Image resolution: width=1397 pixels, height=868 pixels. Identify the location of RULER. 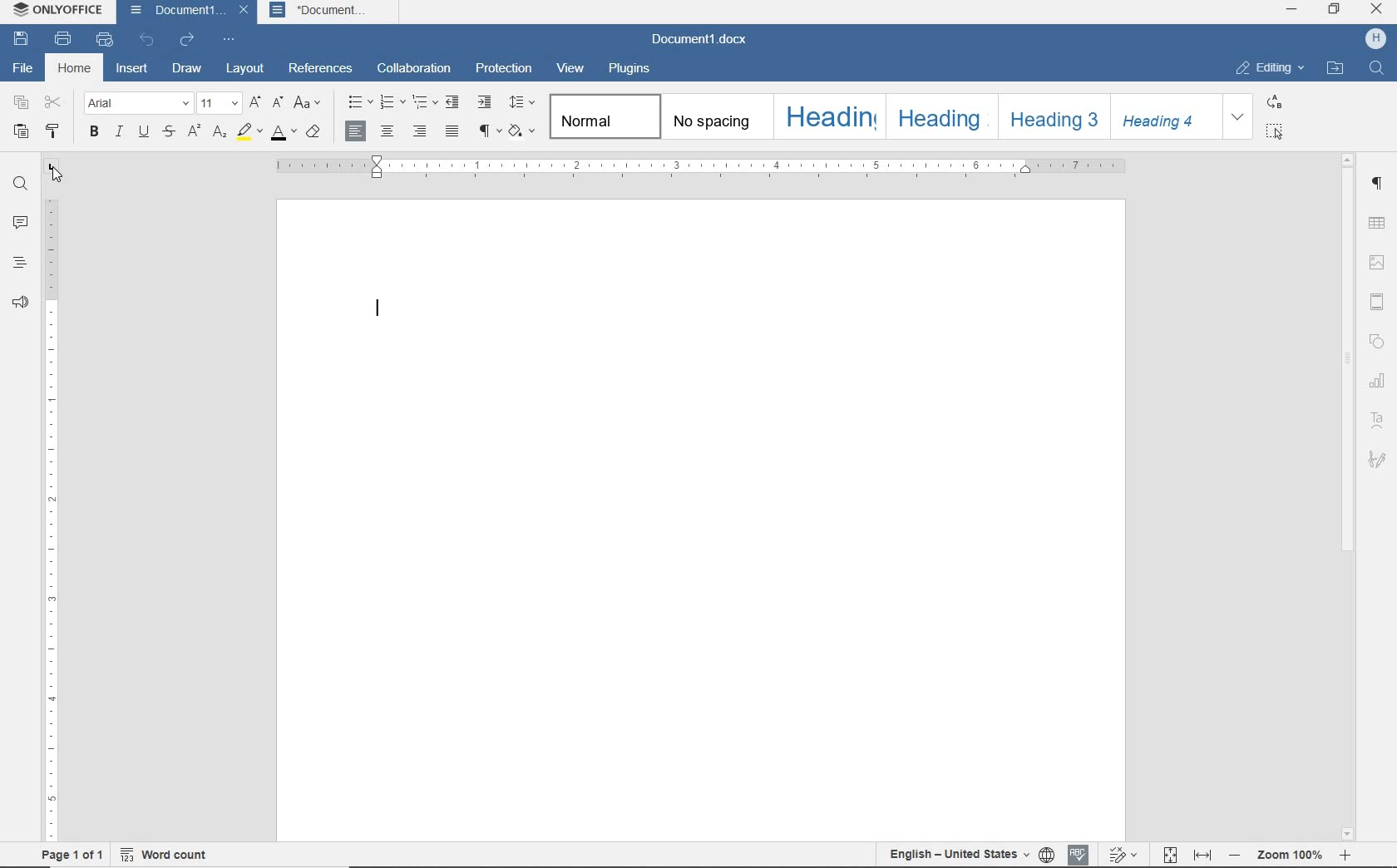
(700, 167).